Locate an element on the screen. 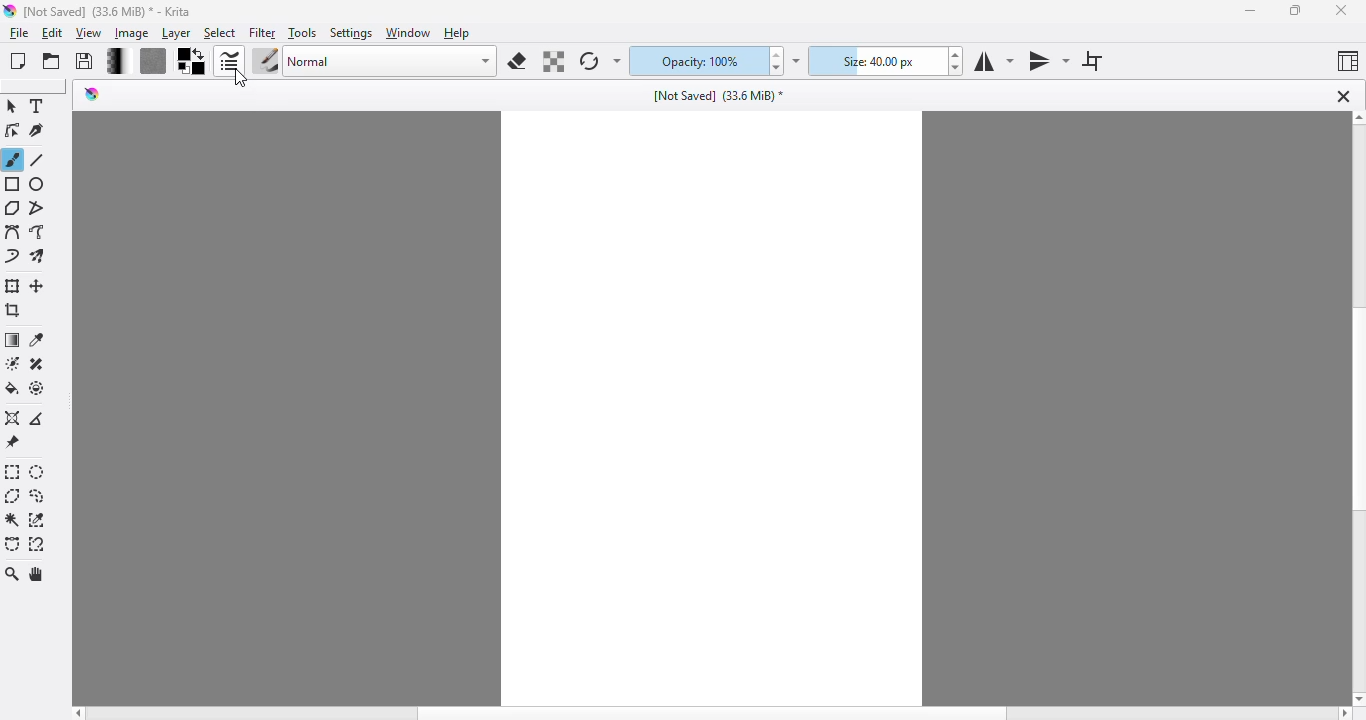 The height and width of the screenshot is (720, 1366). [Not Saved] (33.6 MiB) * - Krita is located at coordinates (117, 11).